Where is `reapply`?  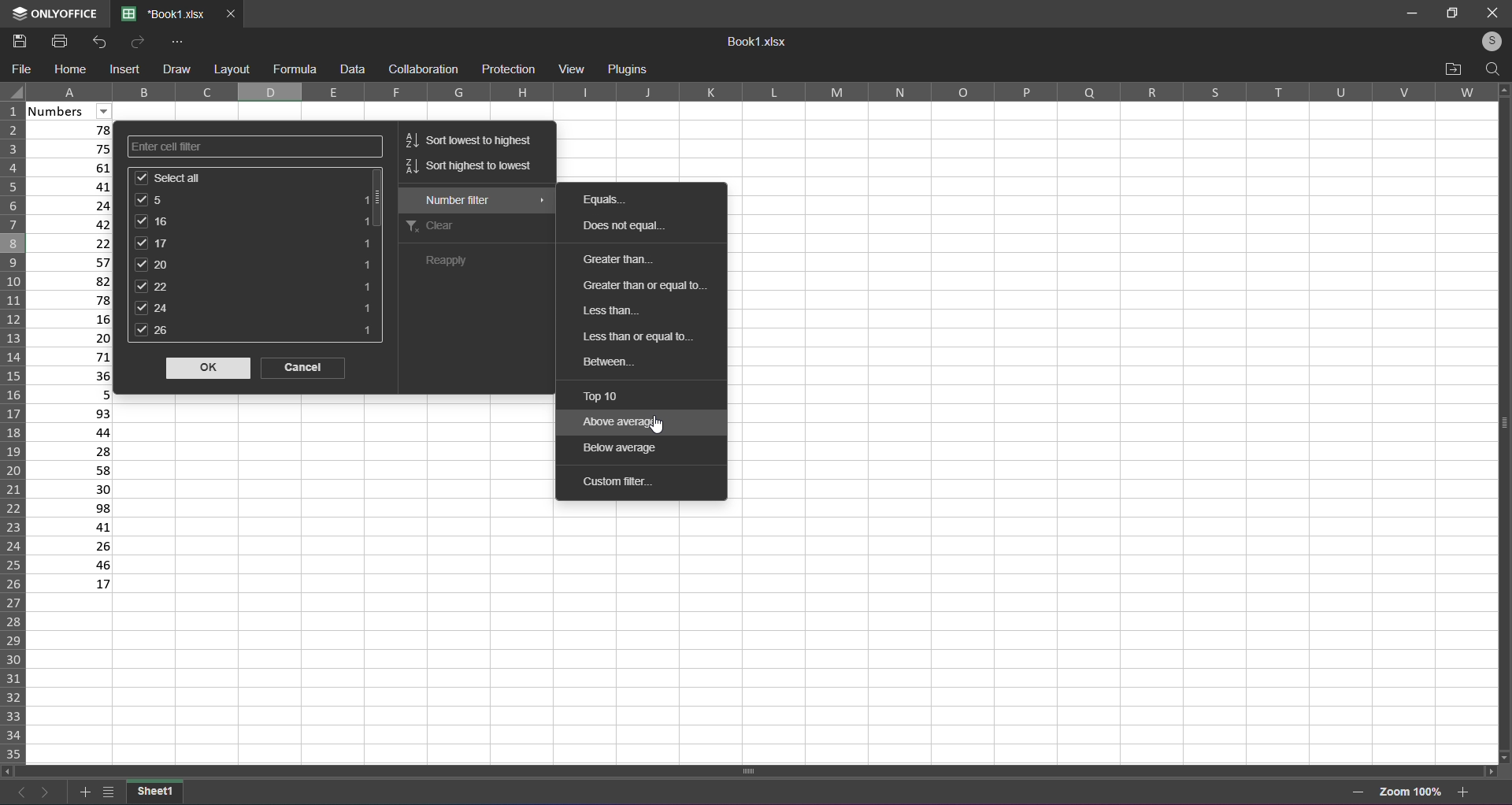 reapply is located at coordinates (461, 262).